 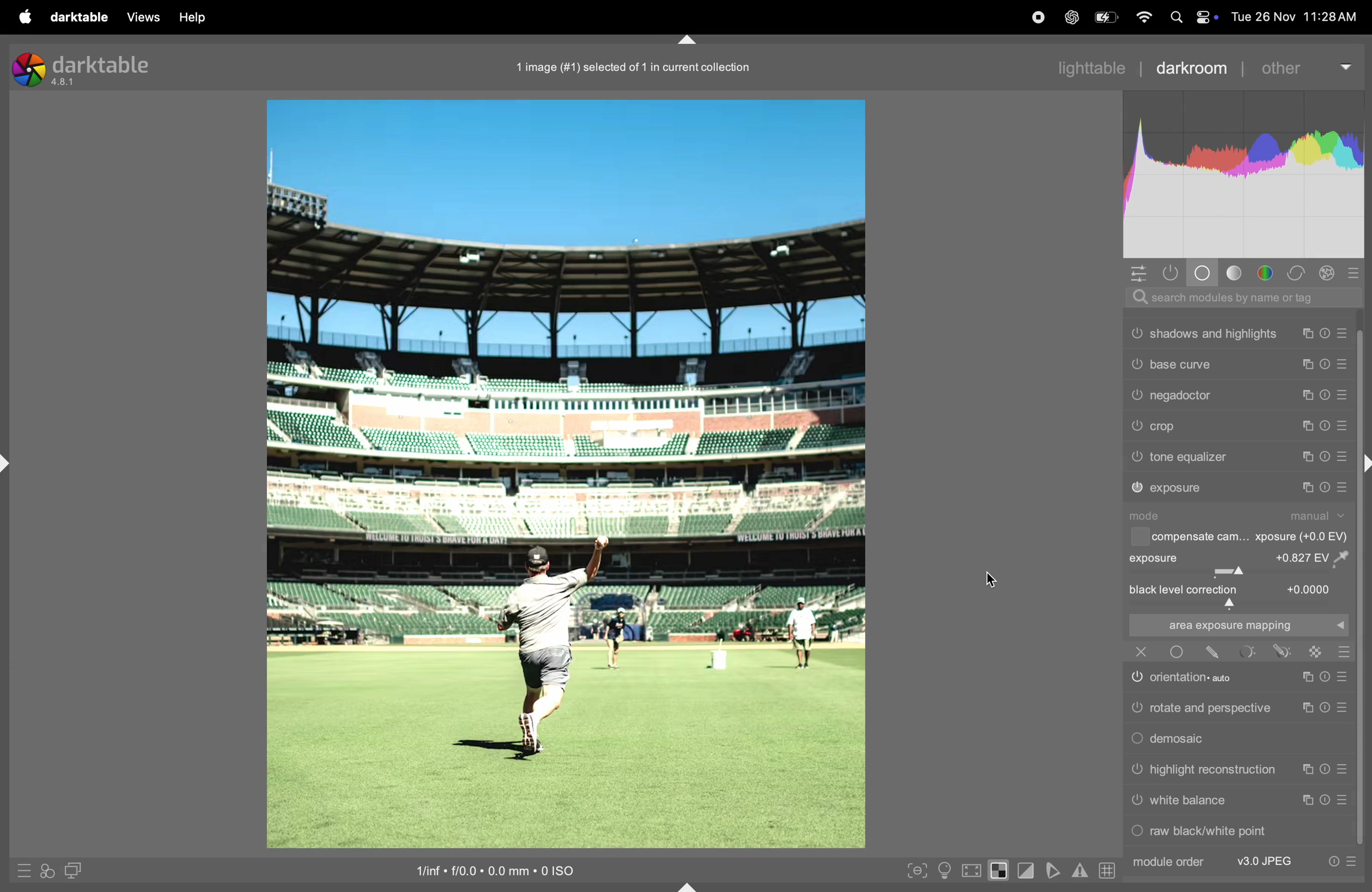 What do you see at coordinates (1344, 395) in the screenshot?
I see `Presets ` at bounding box center [1344, 395].